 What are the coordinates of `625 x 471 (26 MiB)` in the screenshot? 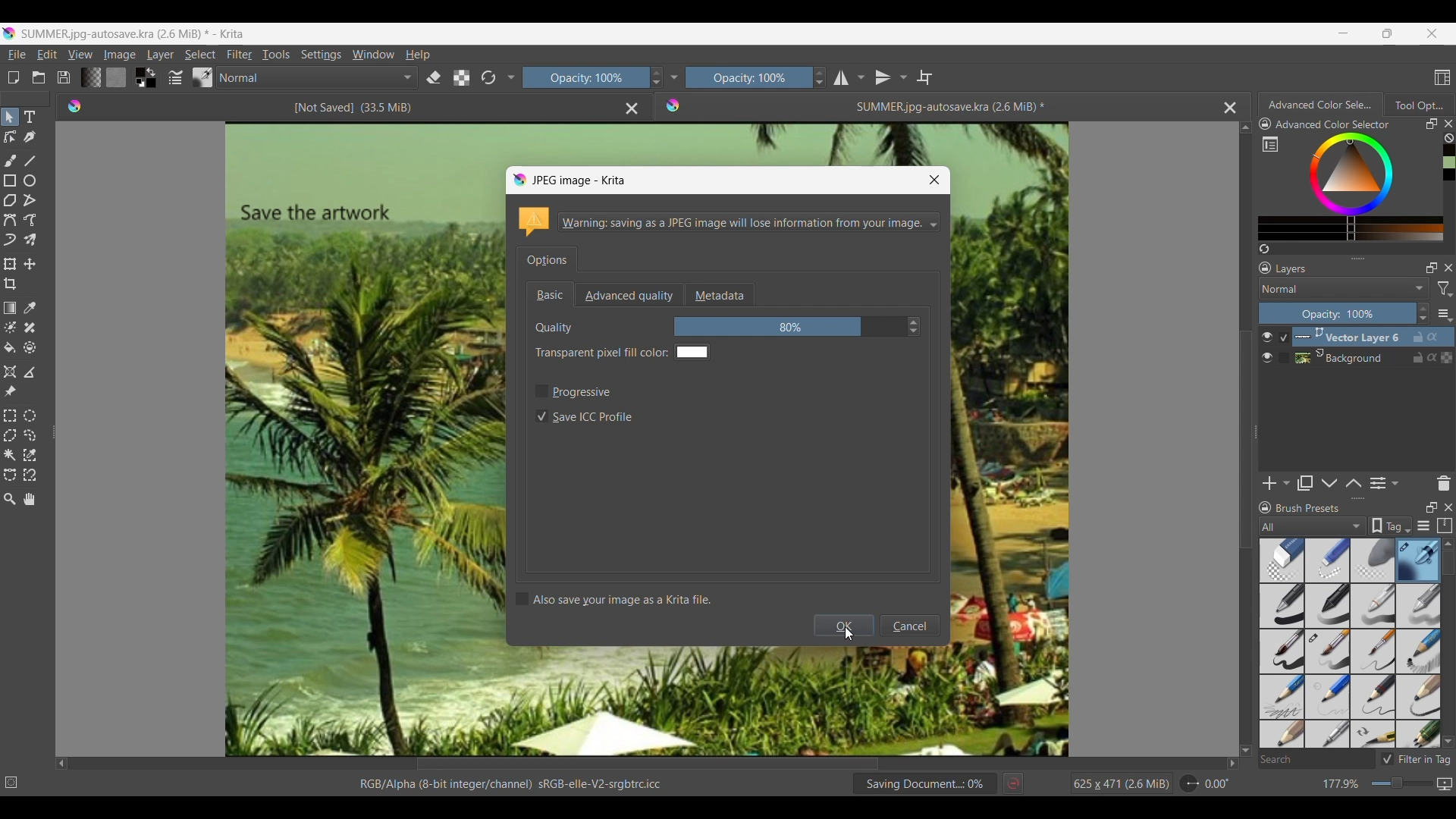 It's located at (1111, 782).